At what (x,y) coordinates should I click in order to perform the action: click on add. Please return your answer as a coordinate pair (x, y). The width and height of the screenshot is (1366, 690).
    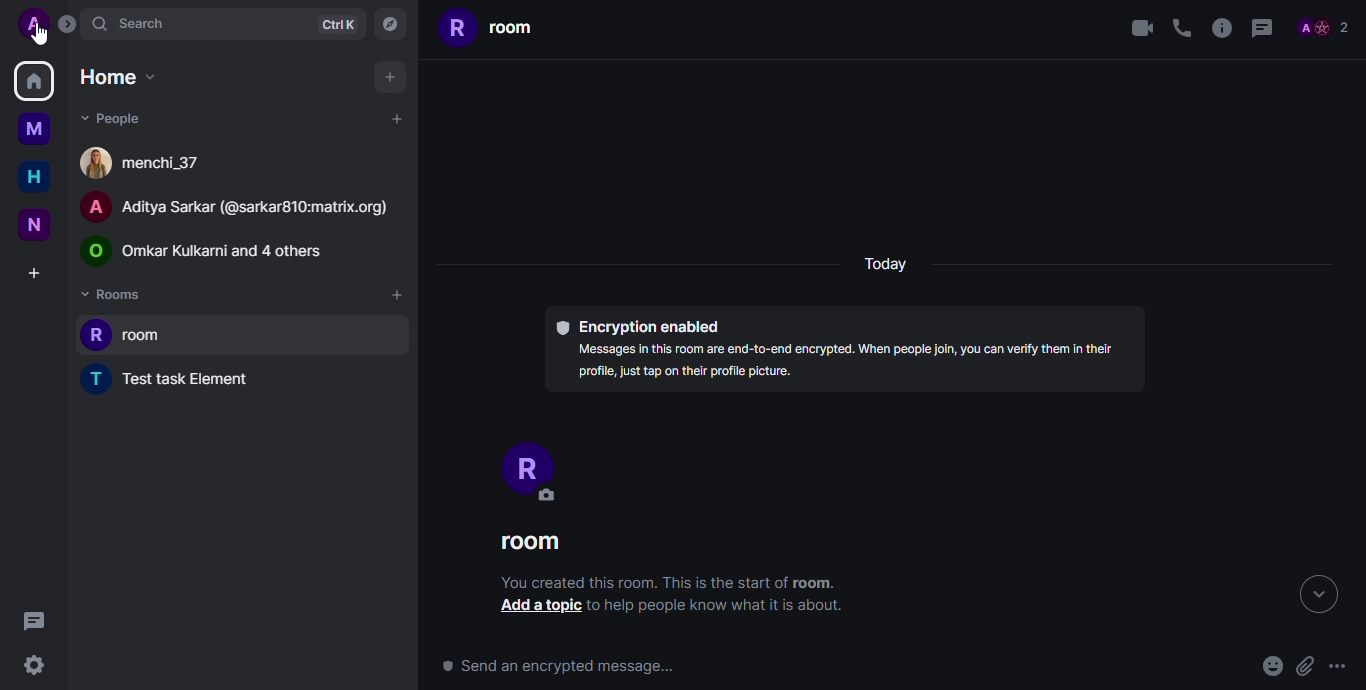
    Looking at the image, I should click on (390, 75).